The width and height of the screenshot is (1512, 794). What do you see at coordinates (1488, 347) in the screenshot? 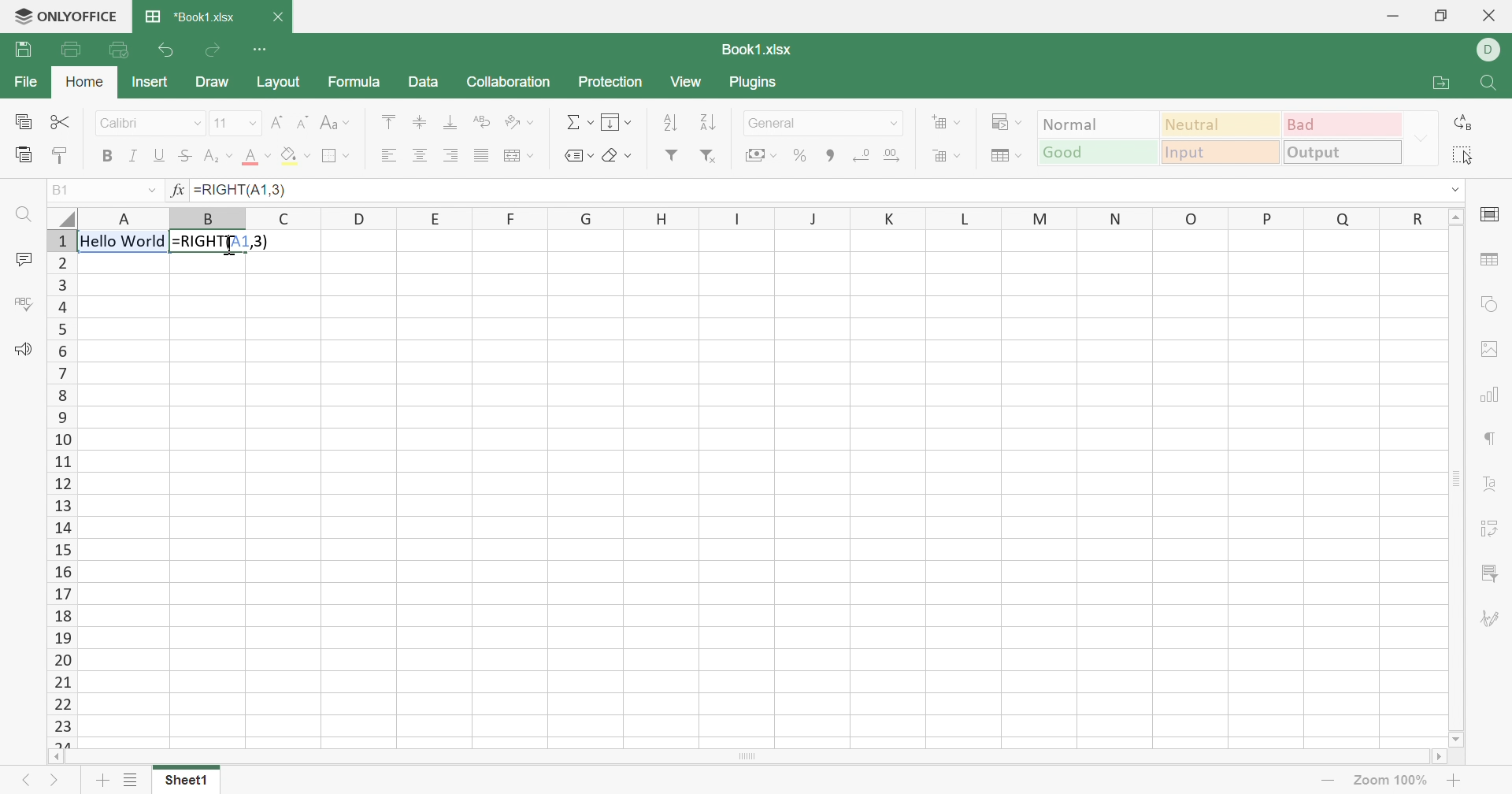
I see `image settings` at bounding box center [1488, 347].